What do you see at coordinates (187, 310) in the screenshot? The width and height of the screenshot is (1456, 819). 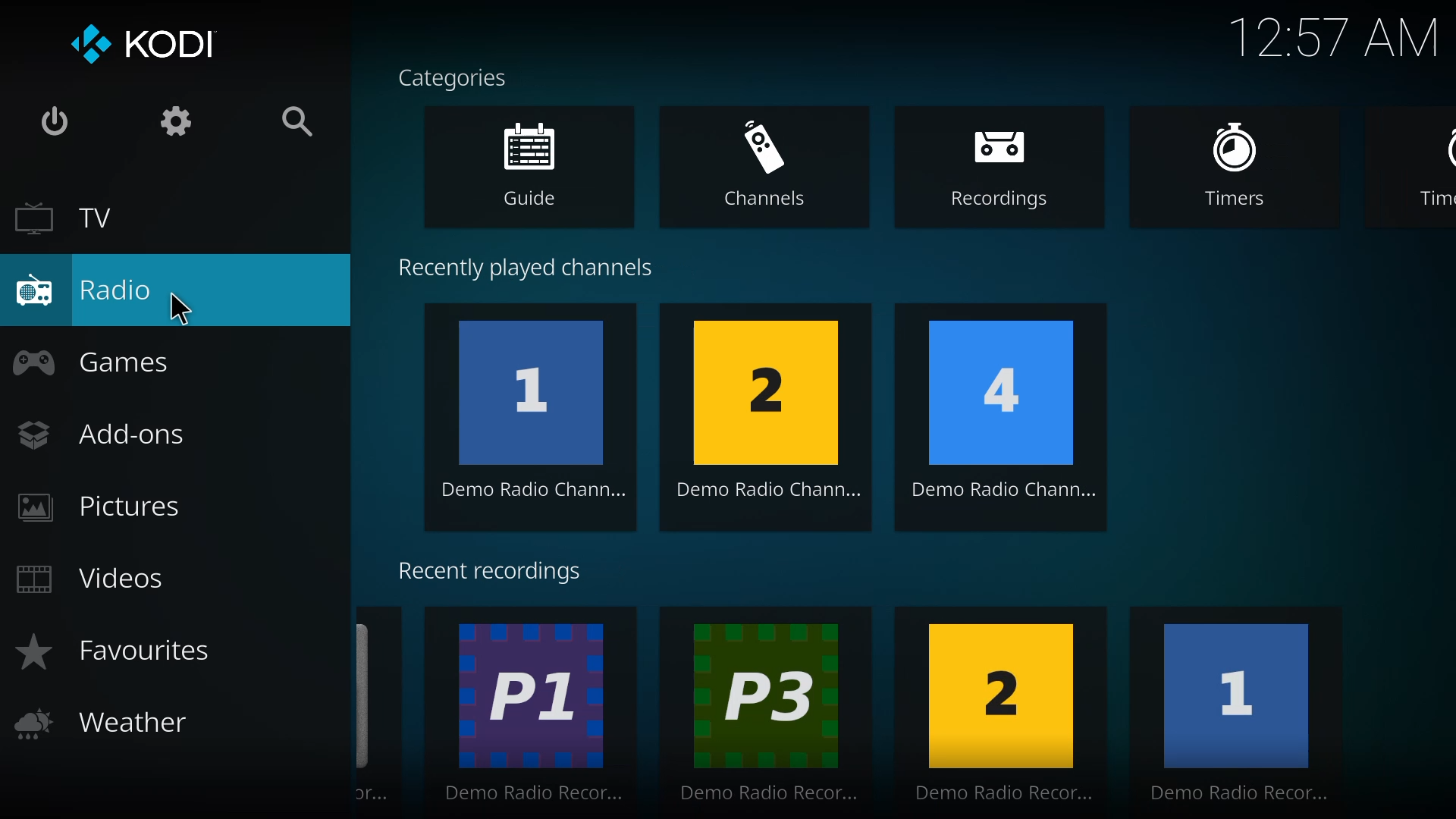 I see `cursor` at bounding box center [187, 310].